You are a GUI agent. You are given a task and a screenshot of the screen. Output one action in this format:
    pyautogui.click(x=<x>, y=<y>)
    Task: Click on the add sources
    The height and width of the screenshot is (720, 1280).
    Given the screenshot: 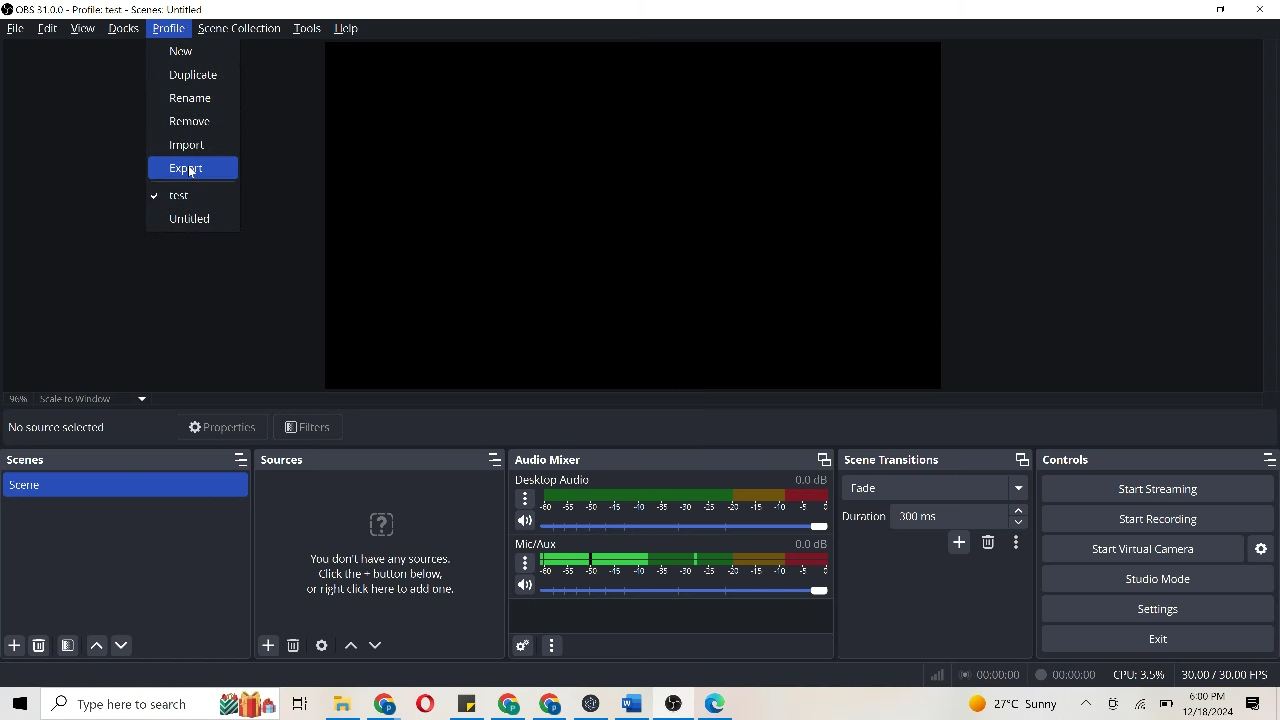 What is the action you would take?
    pyautogui.click(x=266, y=644)
    